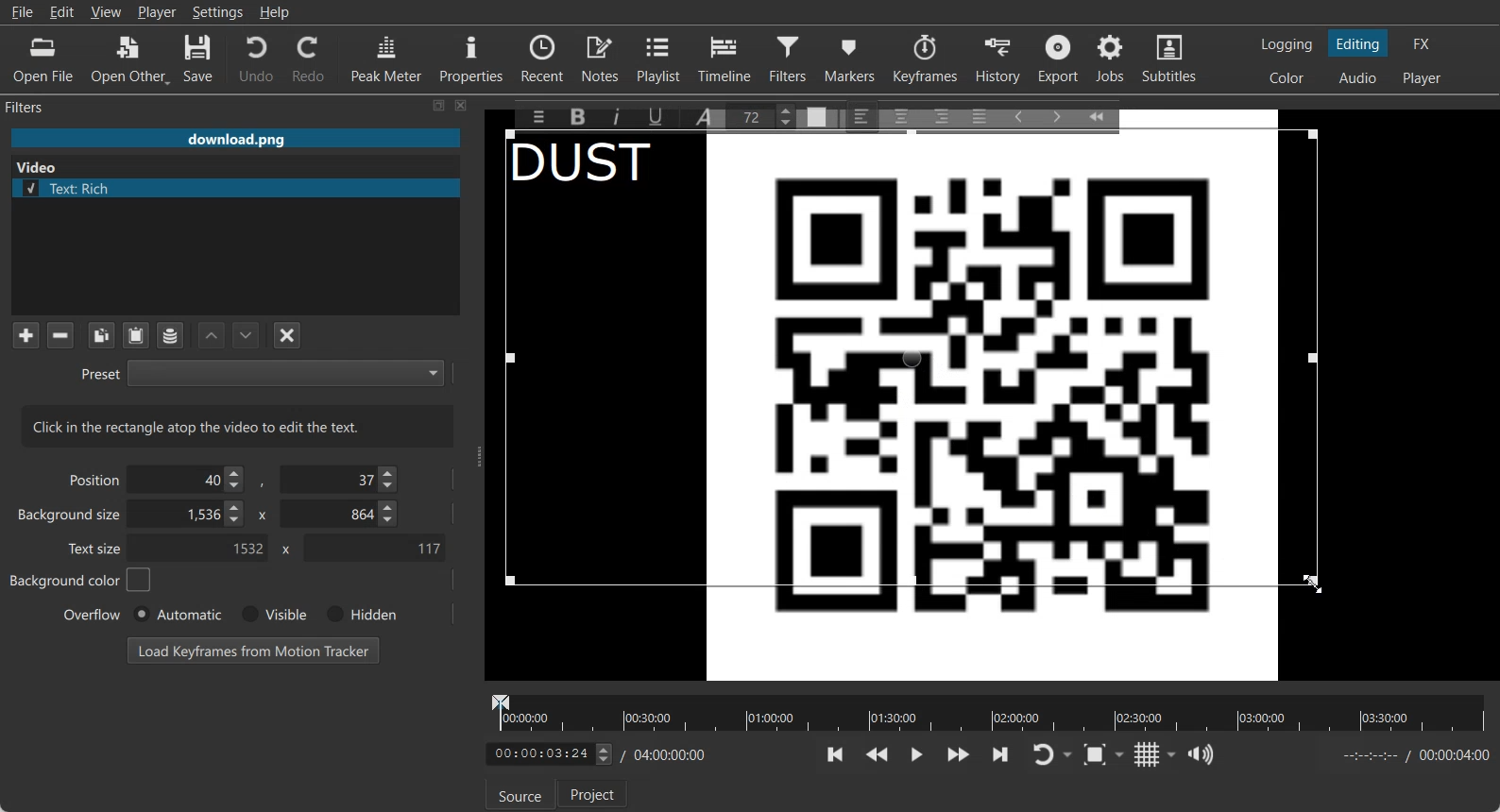  Describe the element at coordinates (1148, 754) in the screenshot. I see `Toggle grid display on the player` at that location.